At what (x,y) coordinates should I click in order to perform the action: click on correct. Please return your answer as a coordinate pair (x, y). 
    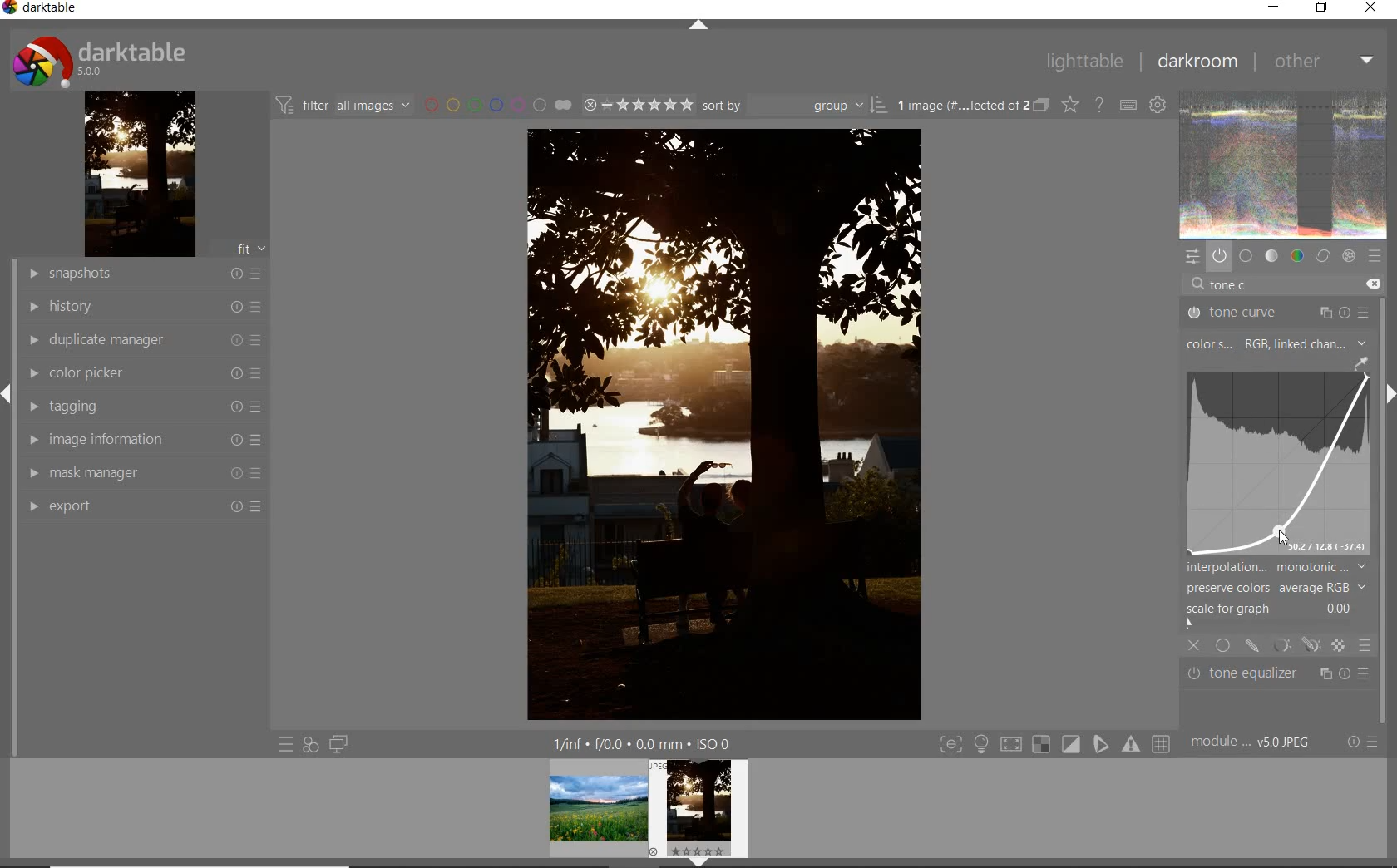
    Looking at the image, I should click on (1322, 256).